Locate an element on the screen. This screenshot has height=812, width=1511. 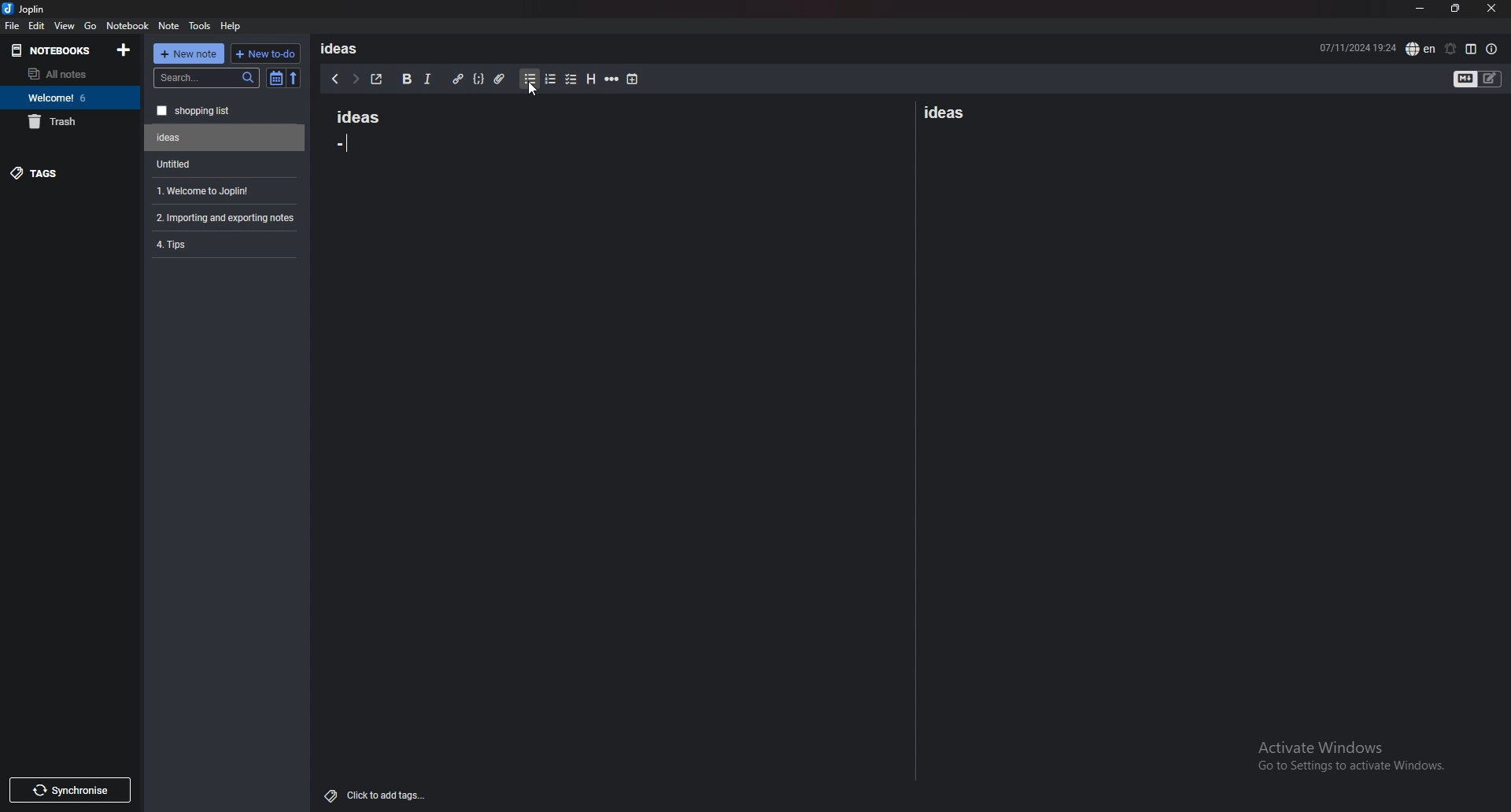
set alarm is located at coordinates (1450, 49).